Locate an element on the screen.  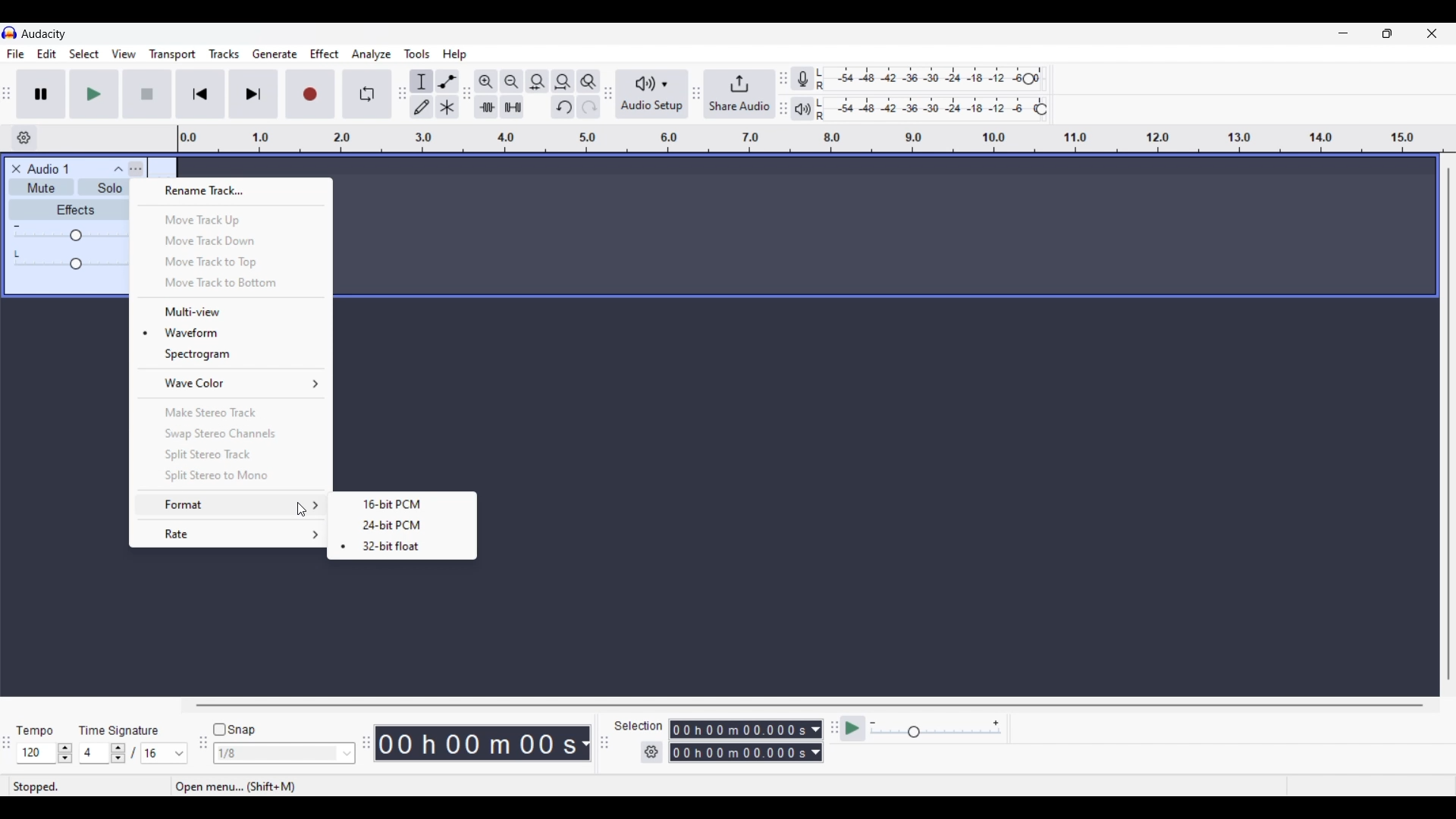
Selection tool is located at coordinates (422, 81).